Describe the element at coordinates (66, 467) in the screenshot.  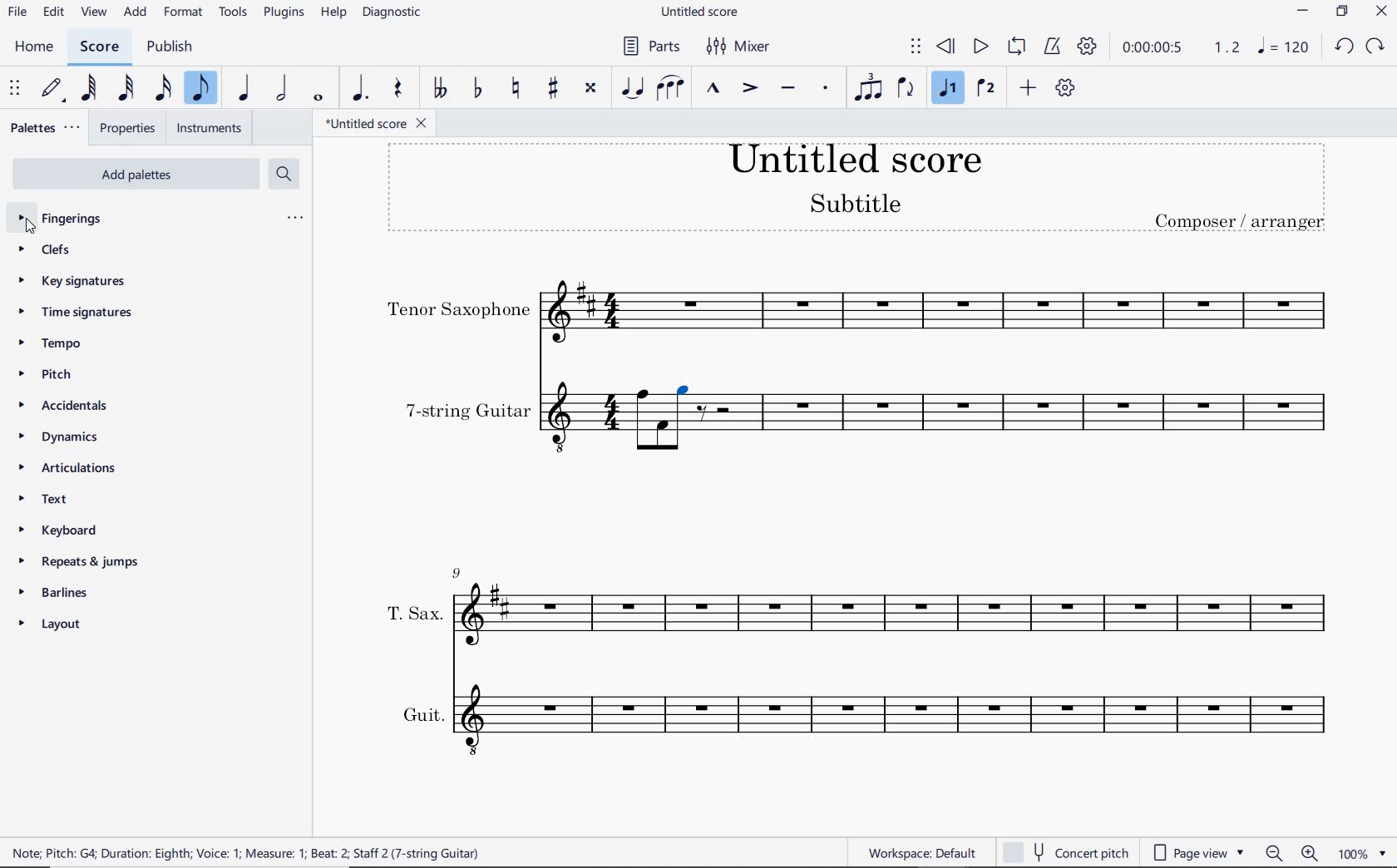
I see `ARTICULATIONS` at that location.